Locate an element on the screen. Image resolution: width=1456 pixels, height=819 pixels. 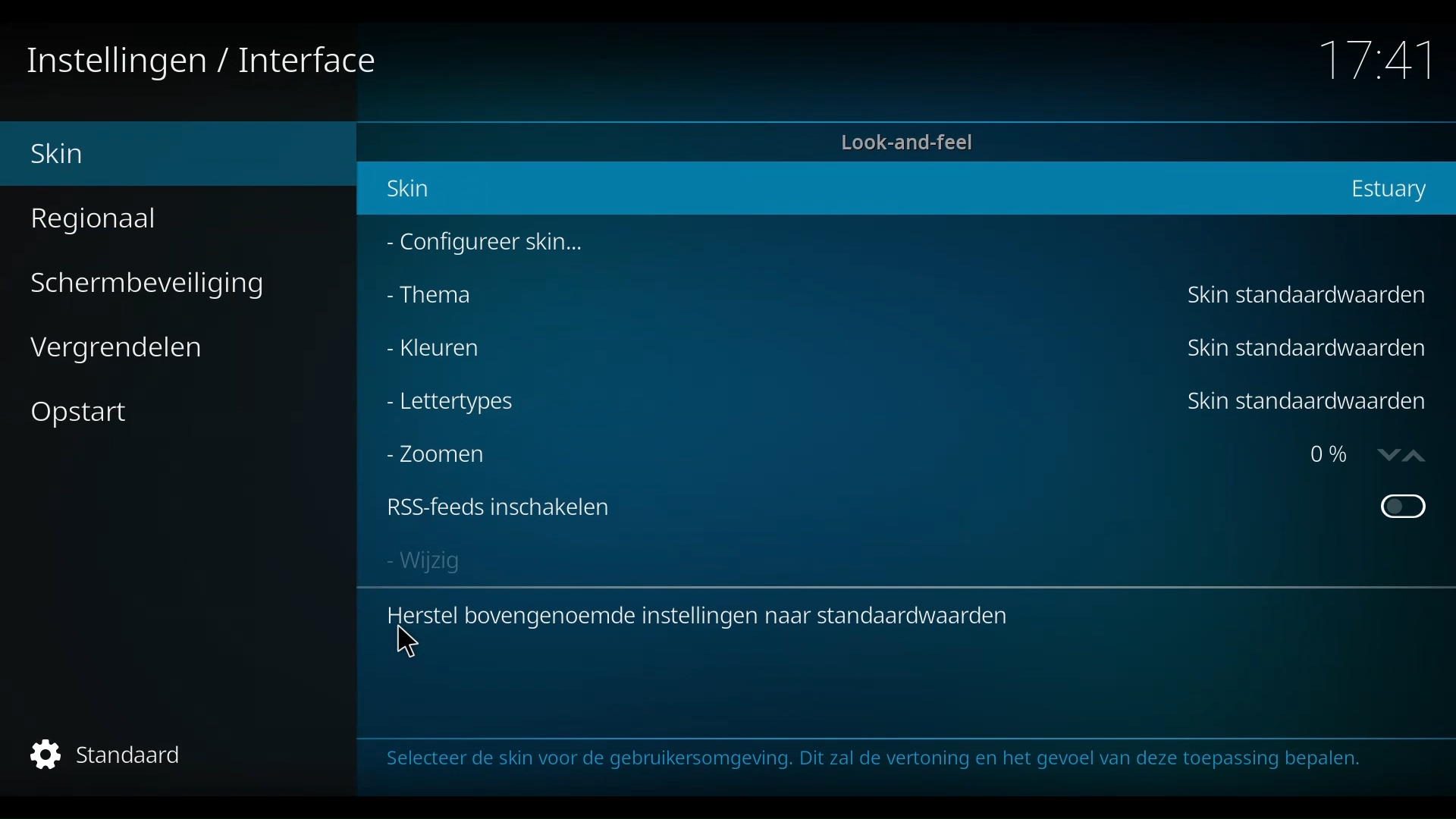
Thema is located at coordinates (427, 293).